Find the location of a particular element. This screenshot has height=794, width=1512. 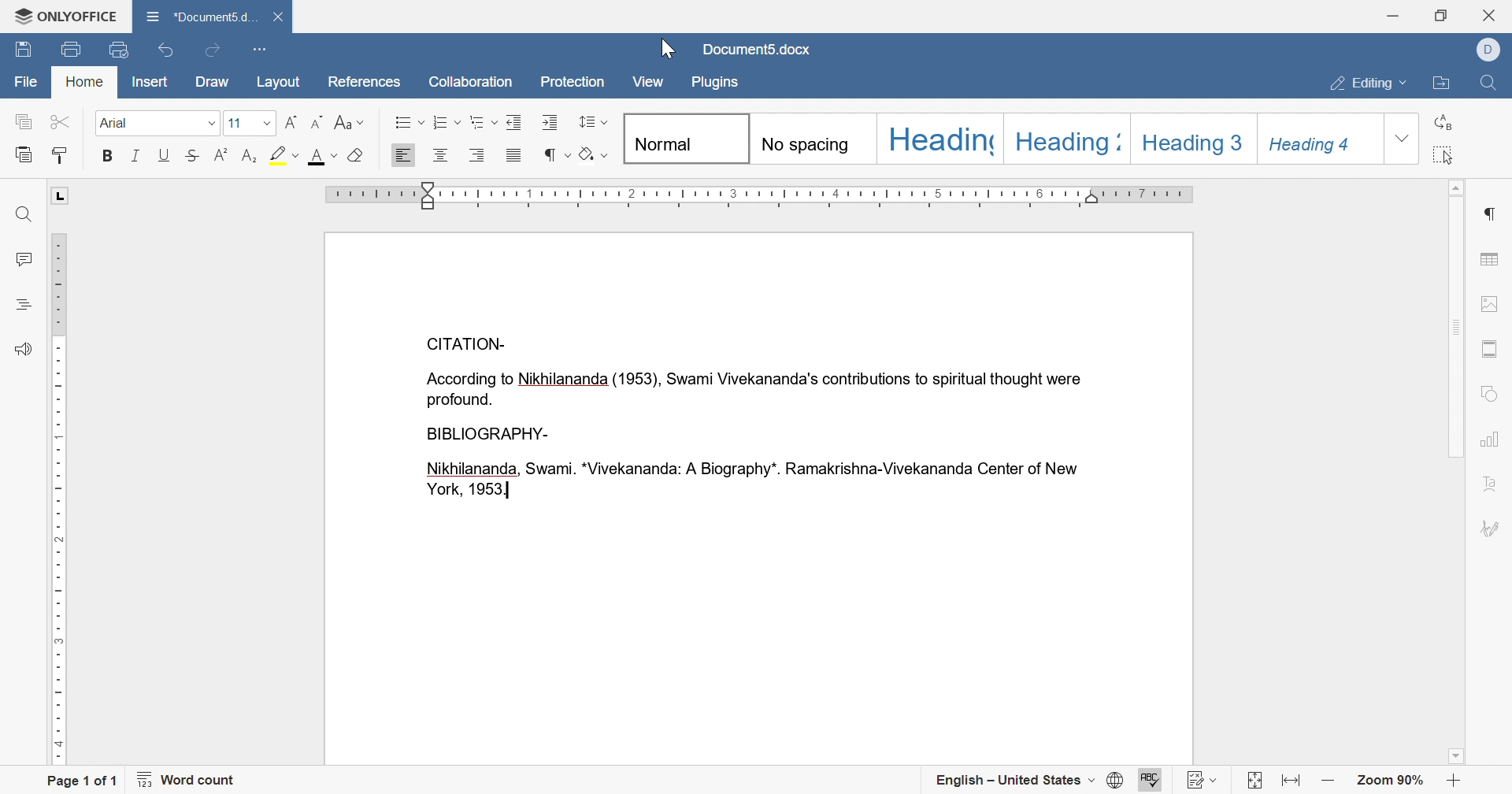

No spacing is located at coordinates (817, 139).